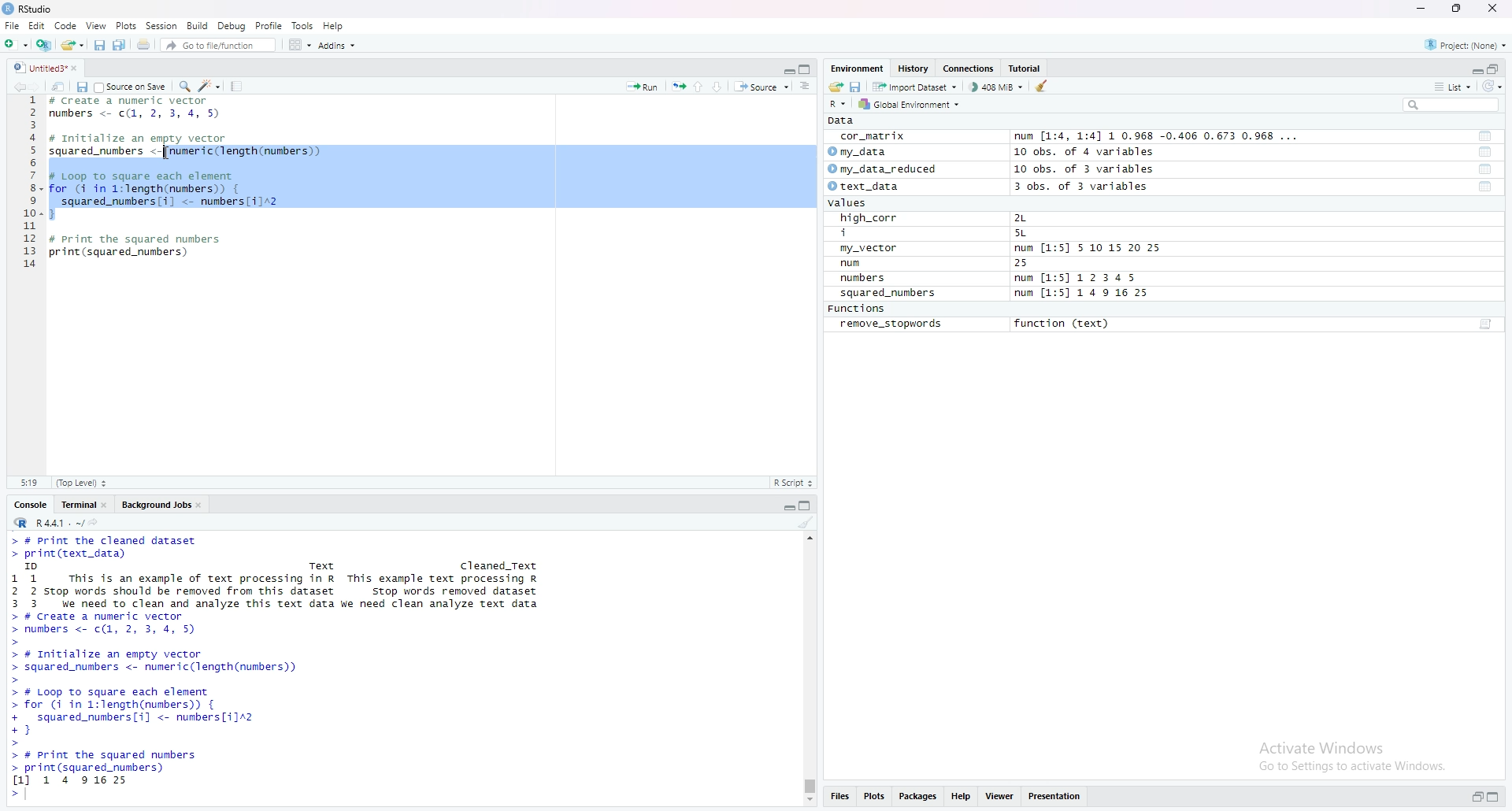 The image size is (1512, 811). Describe the element at coordinates (859, 152) in the screenshot. I see `© my_data` at that location.